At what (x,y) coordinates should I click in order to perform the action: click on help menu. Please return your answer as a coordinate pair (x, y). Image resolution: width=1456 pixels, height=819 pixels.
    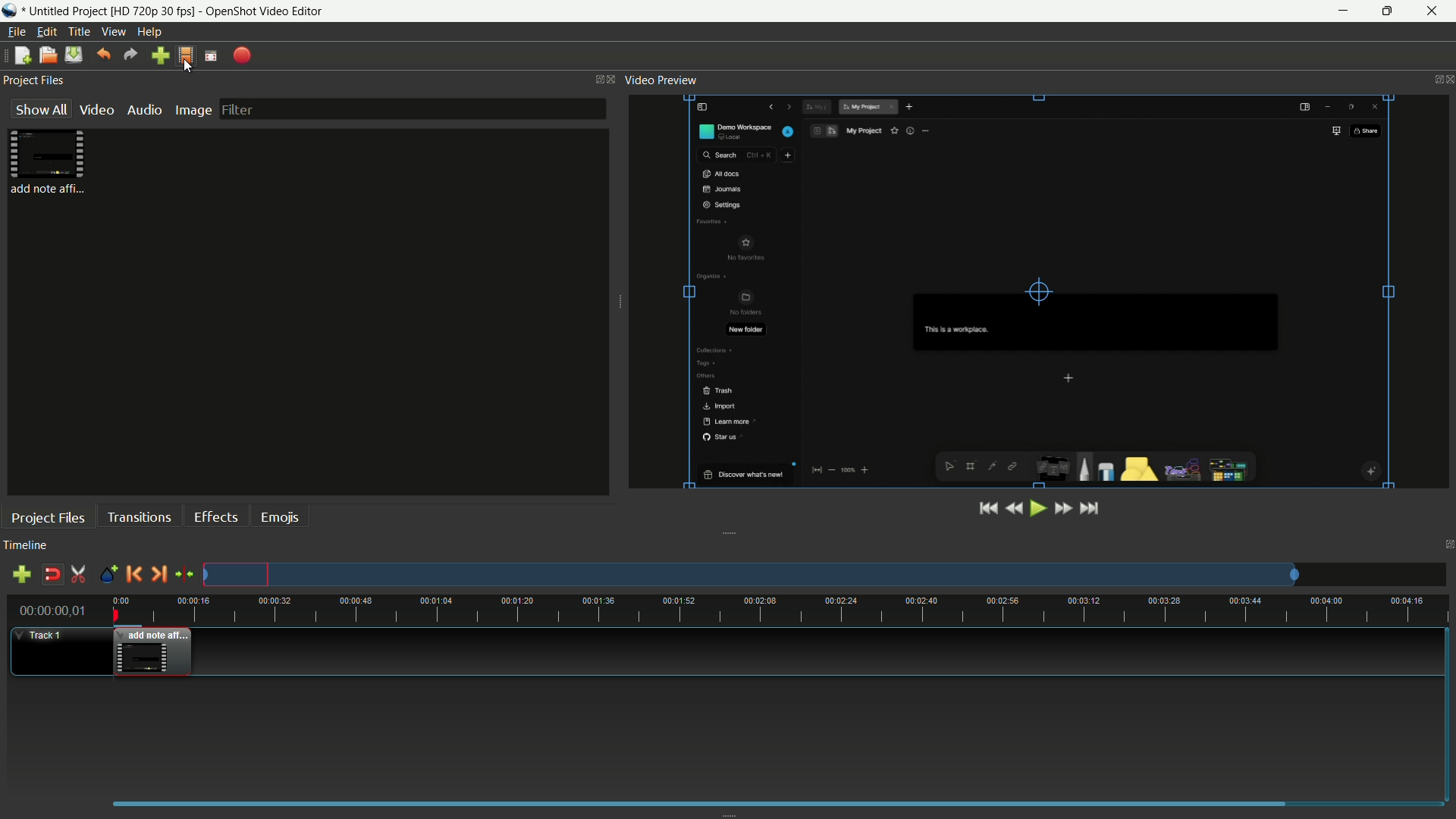
    Looking at the image, I should click on (149, 32).